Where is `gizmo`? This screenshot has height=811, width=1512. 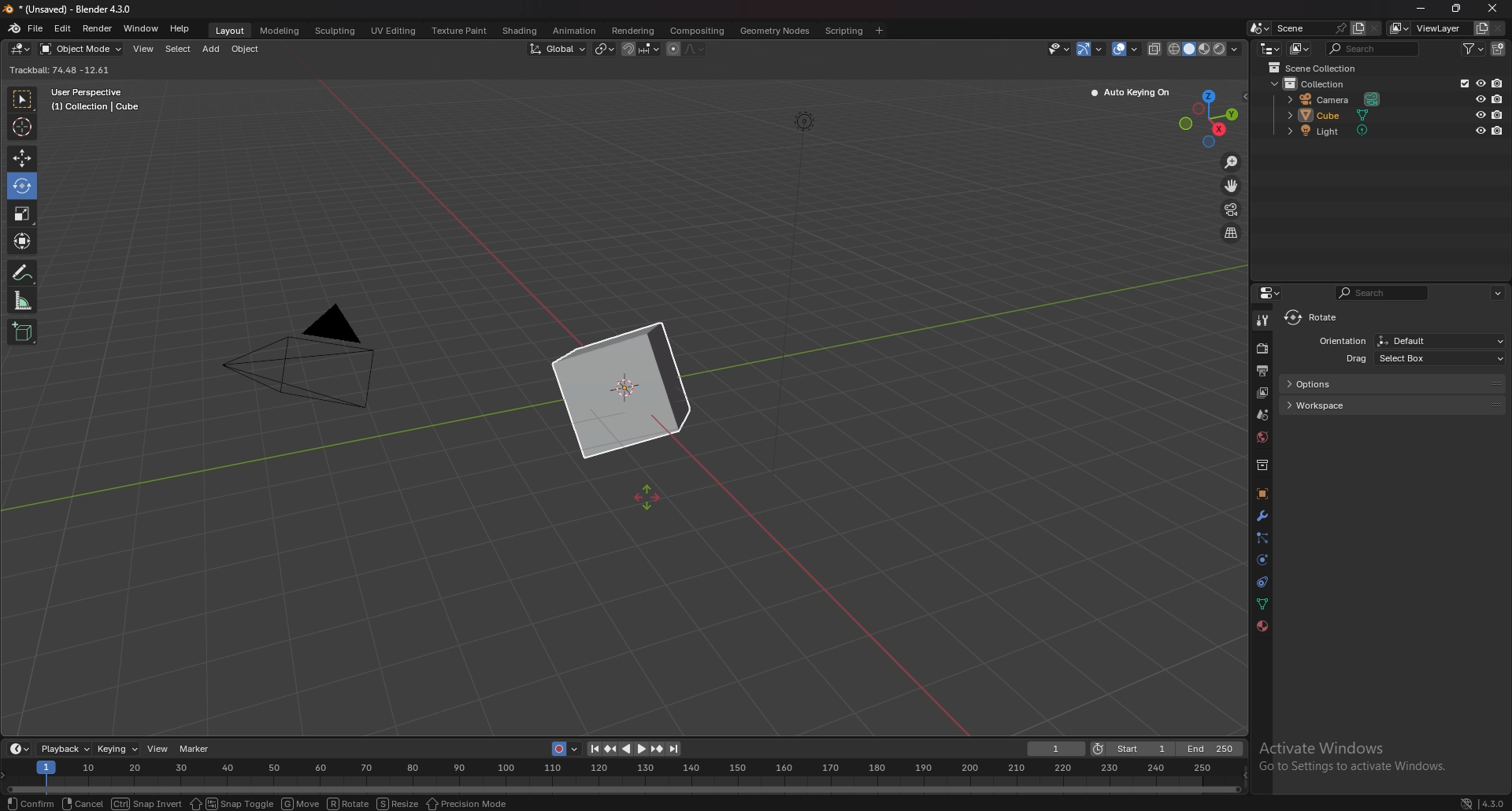 gizmo is located at coordinates (1092, 48).